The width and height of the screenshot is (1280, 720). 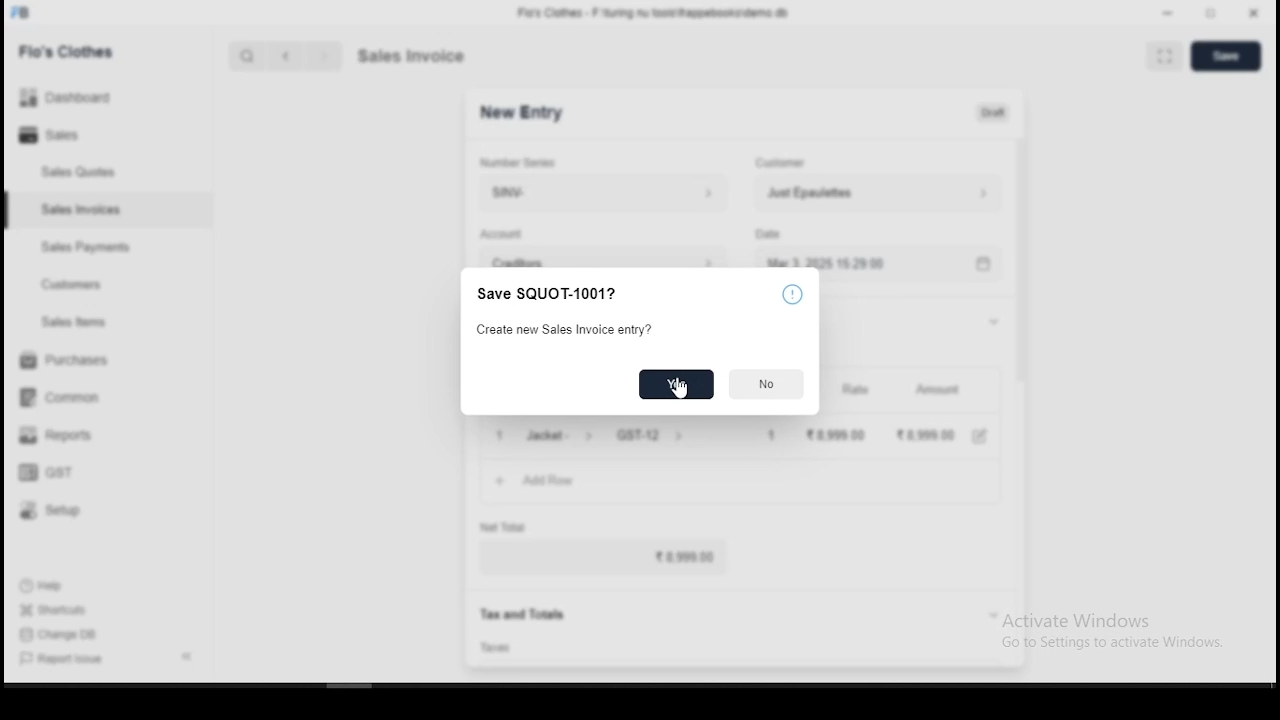 I want to click on report issues, so click(x=65, y=660).